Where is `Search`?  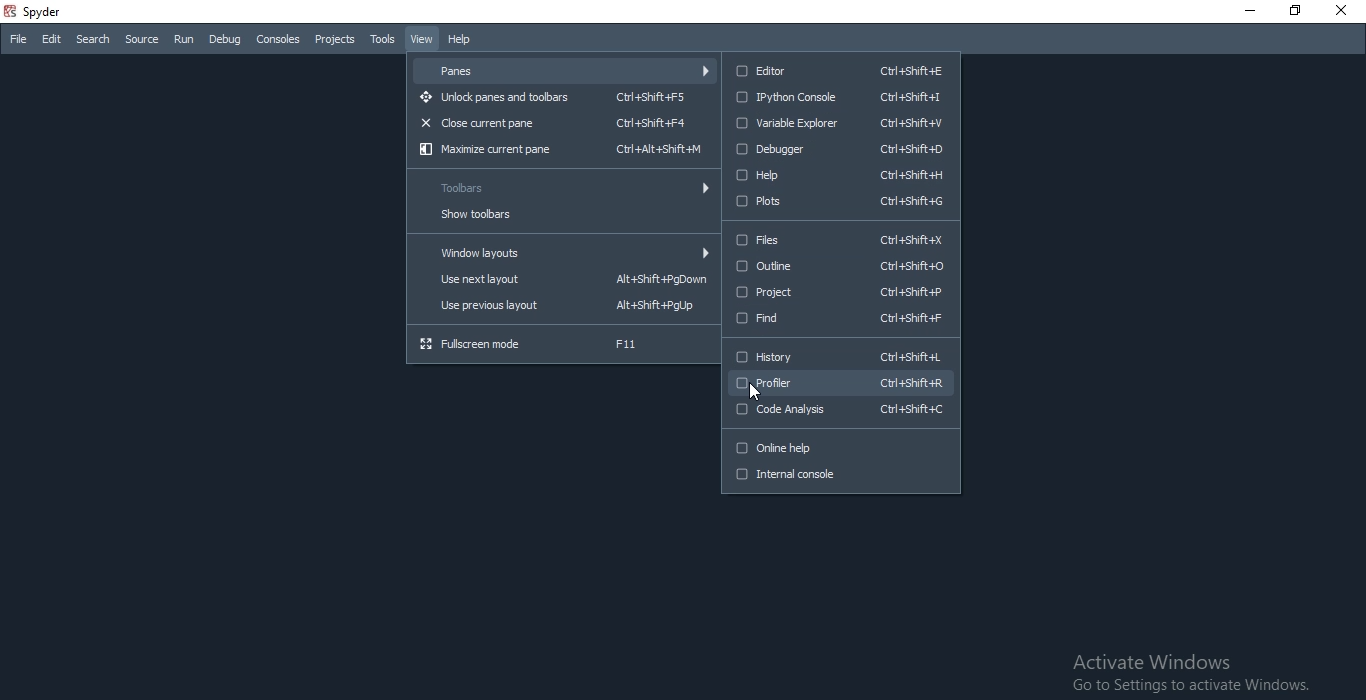
Search is located at coordinates (93, 39).